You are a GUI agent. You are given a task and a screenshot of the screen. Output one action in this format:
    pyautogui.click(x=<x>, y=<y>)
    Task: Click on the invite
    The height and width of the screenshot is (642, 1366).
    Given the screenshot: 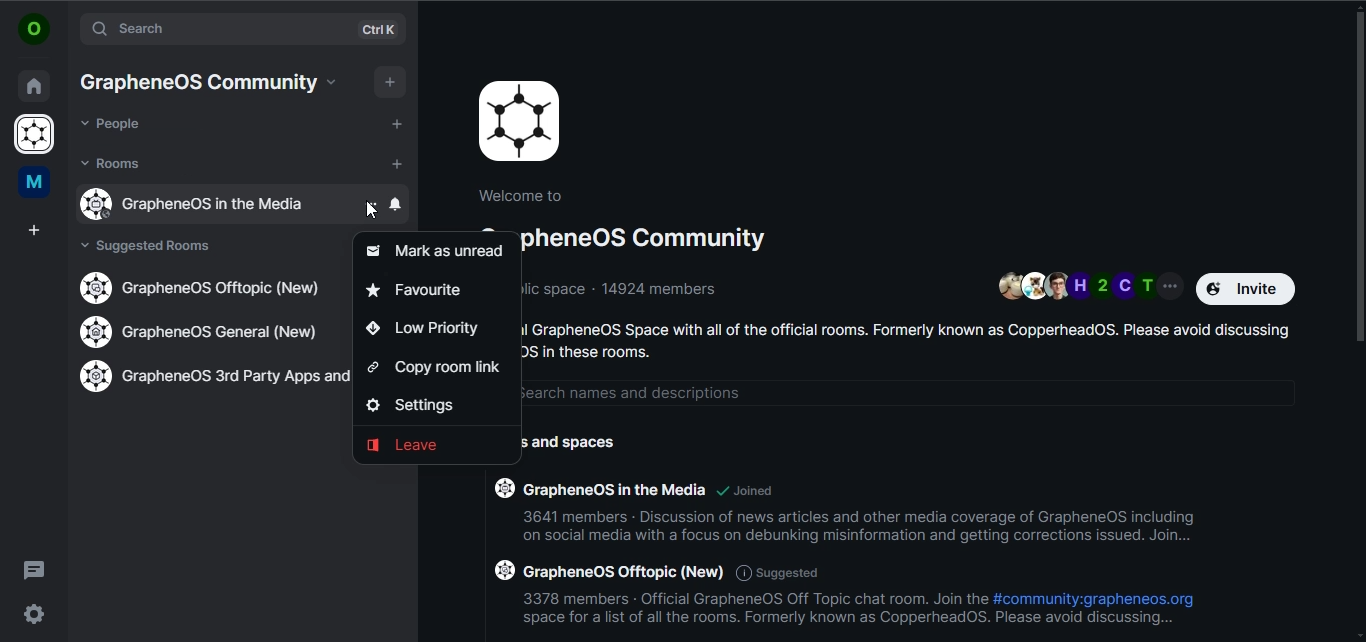 What is the action you would take?
    pyautogui.click(x=1247, y=288)
    